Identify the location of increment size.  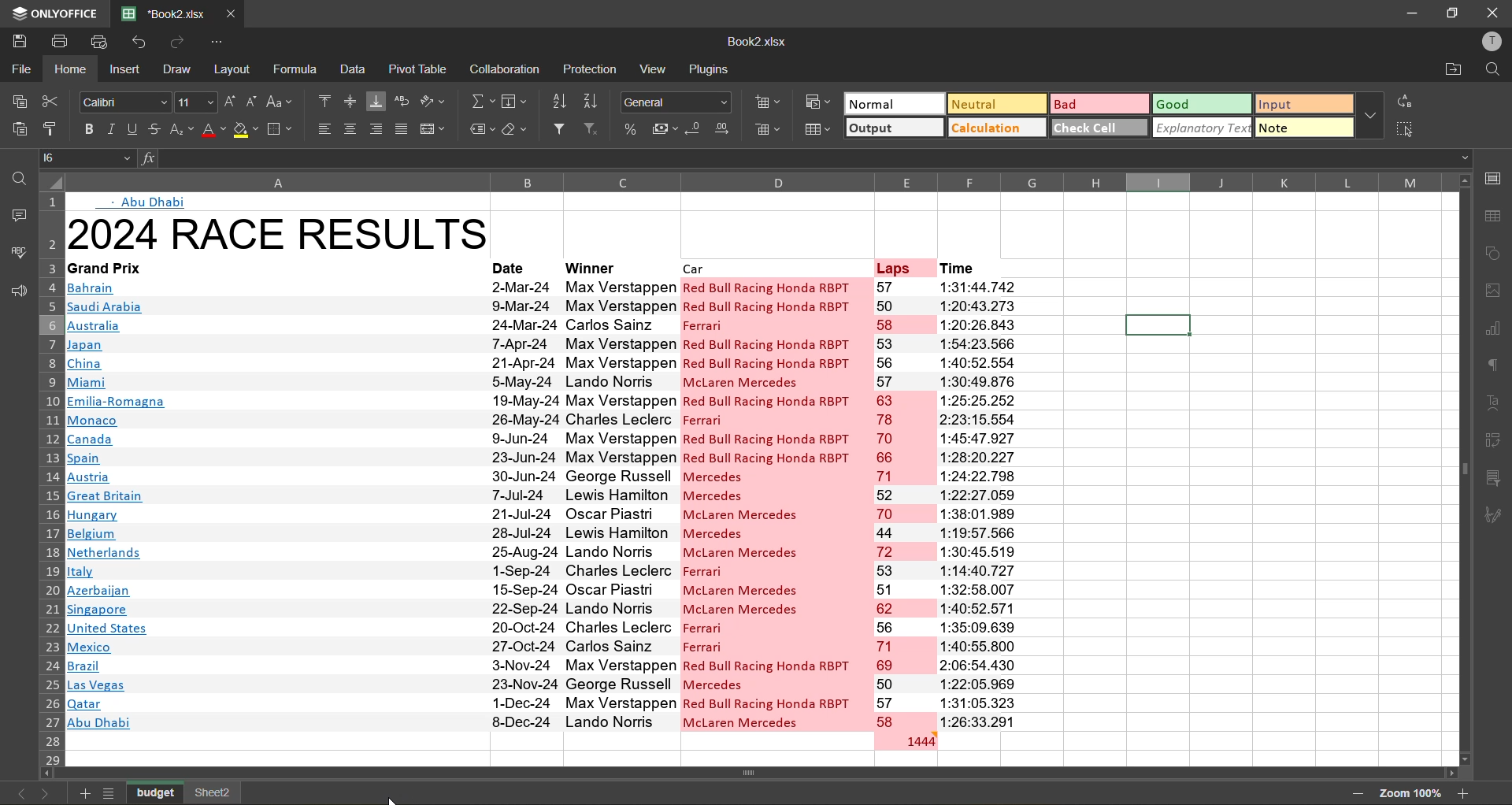
(230, 104).